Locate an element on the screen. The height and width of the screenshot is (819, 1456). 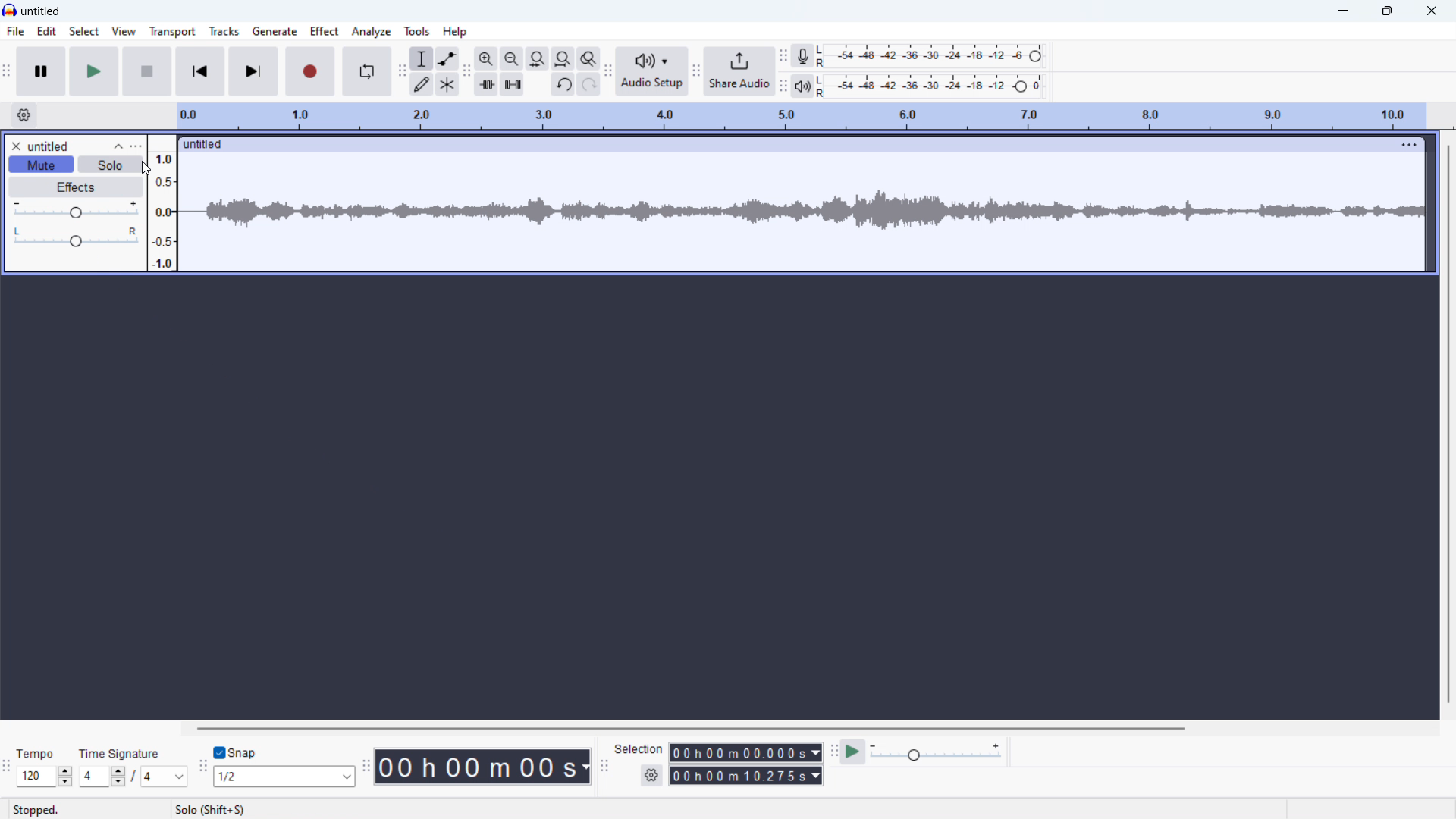
timeline settings is located at coordinates (24, 115).